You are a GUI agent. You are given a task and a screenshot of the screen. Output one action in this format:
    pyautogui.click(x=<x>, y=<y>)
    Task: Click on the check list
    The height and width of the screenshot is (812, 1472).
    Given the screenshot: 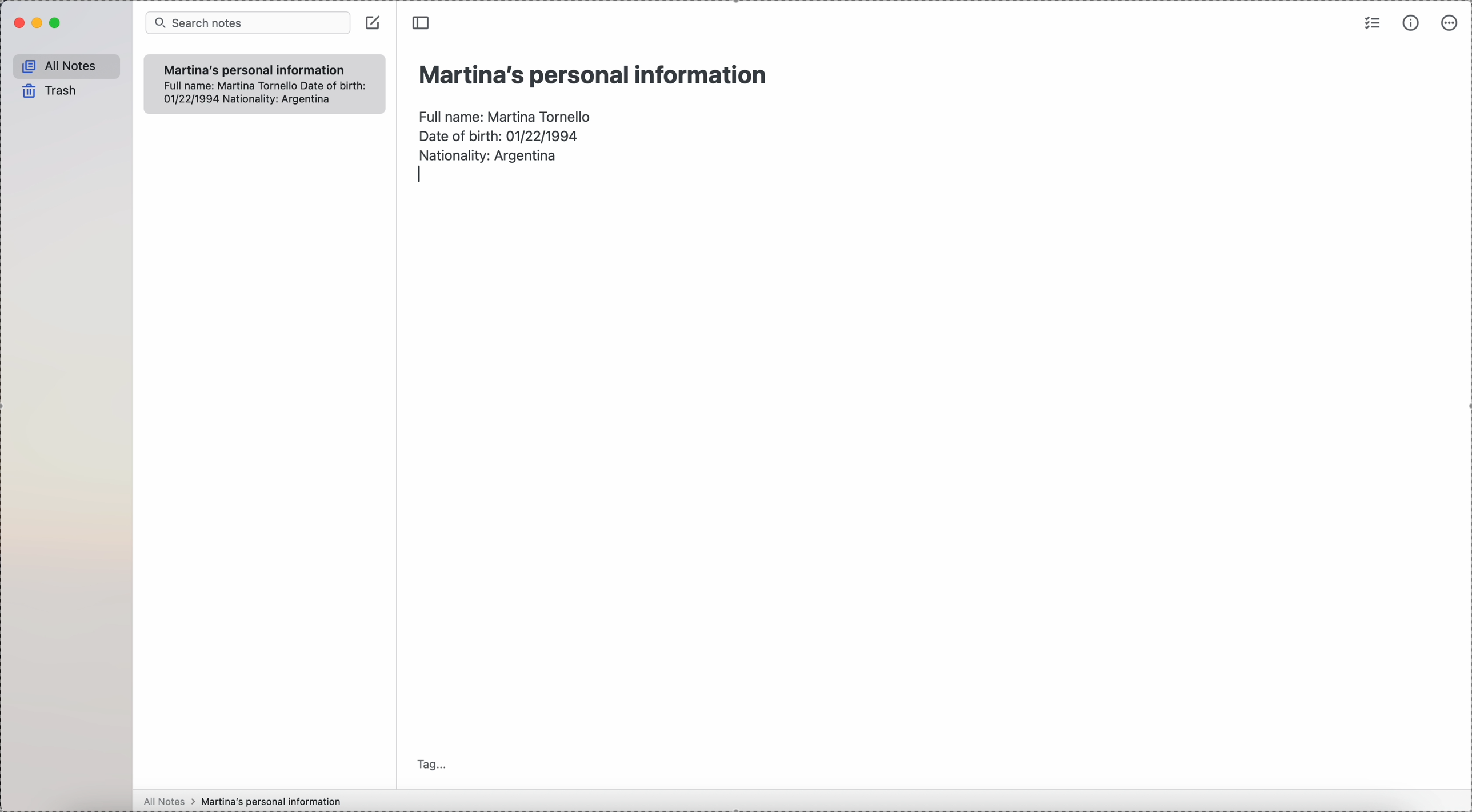 What is the action you would take?
    pyautogui.click(x=1371, y=25)
    